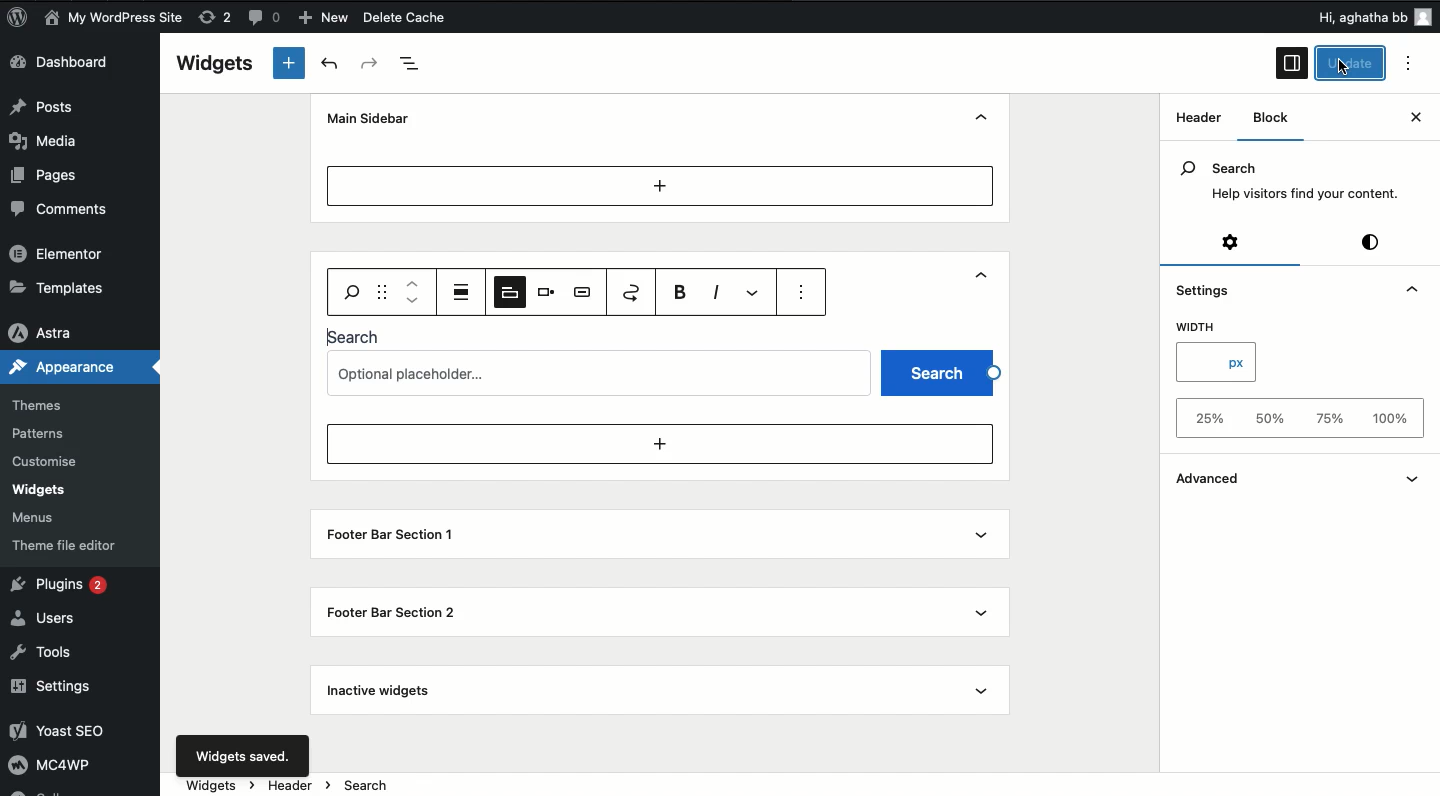 The image size is (1440, 796). Describe the element at coordinates (62, 686) in the screenshot. I see `Settings` at that location.